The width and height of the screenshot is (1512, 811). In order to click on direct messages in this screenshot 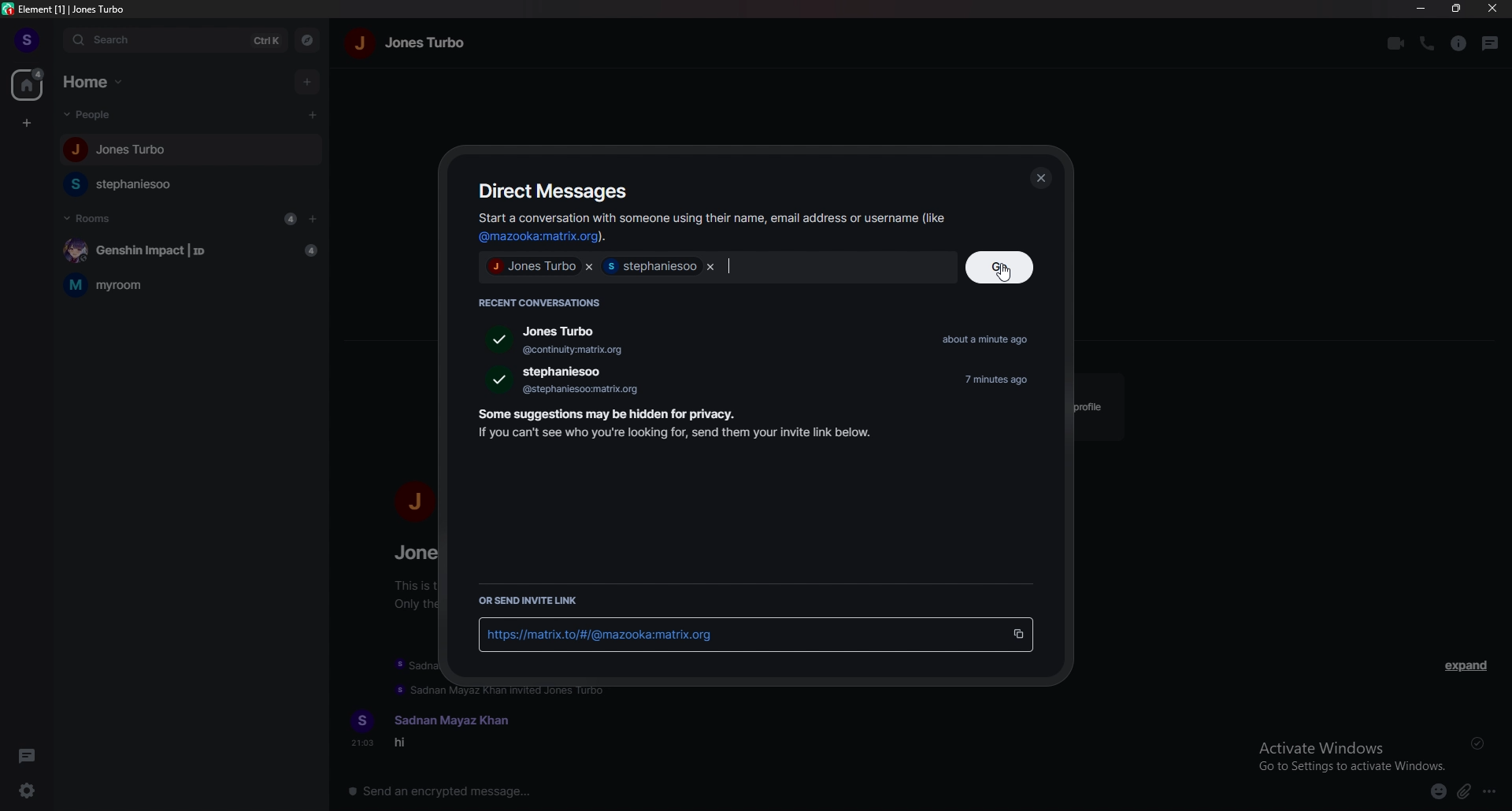, I will do `click(558, 191)`.